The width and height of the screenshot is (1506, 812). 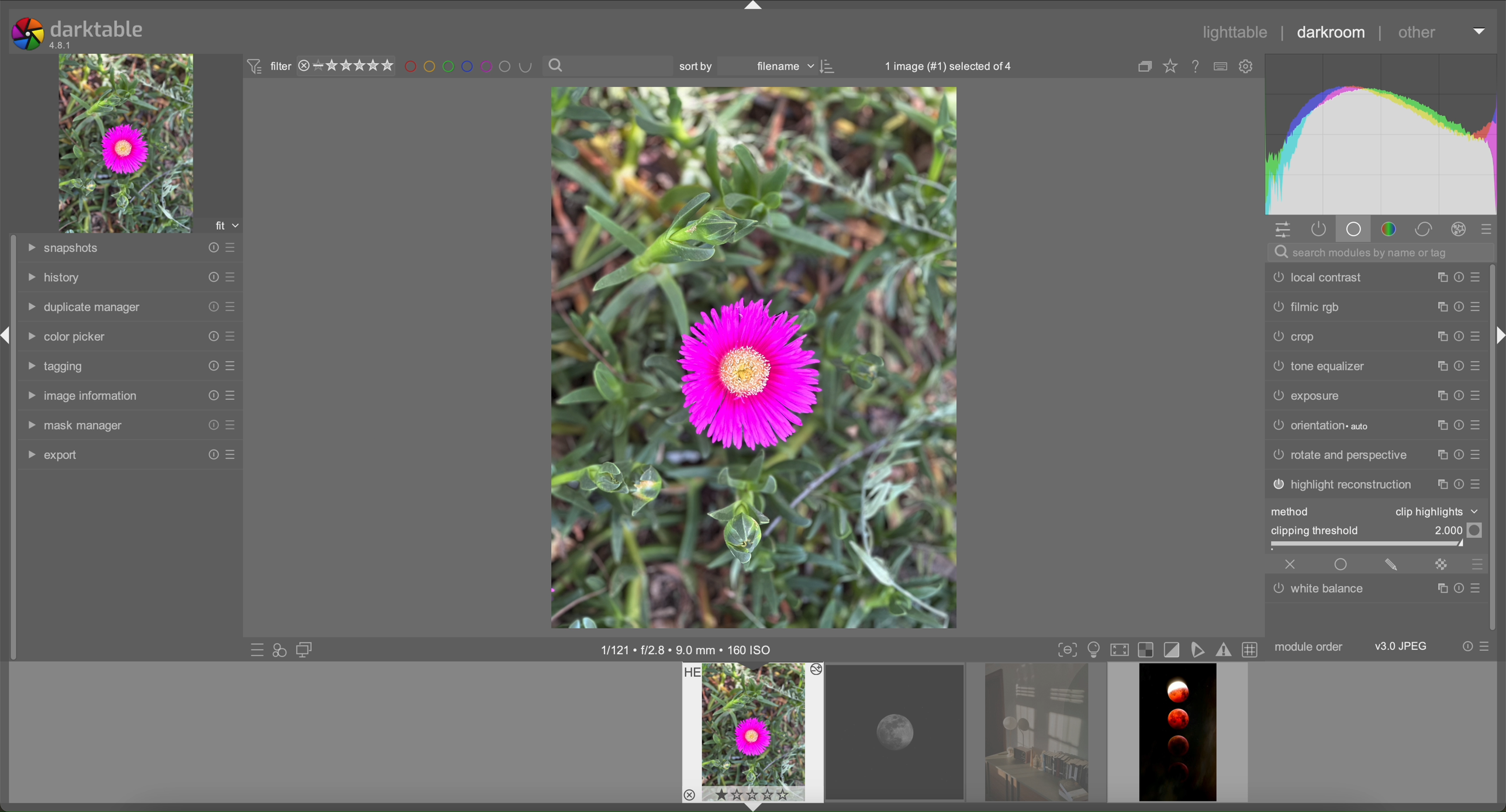 What do you see at coordinates (469, 67) in the screenshot?
I see `filter by images color level` at bounding box center [469, 67].